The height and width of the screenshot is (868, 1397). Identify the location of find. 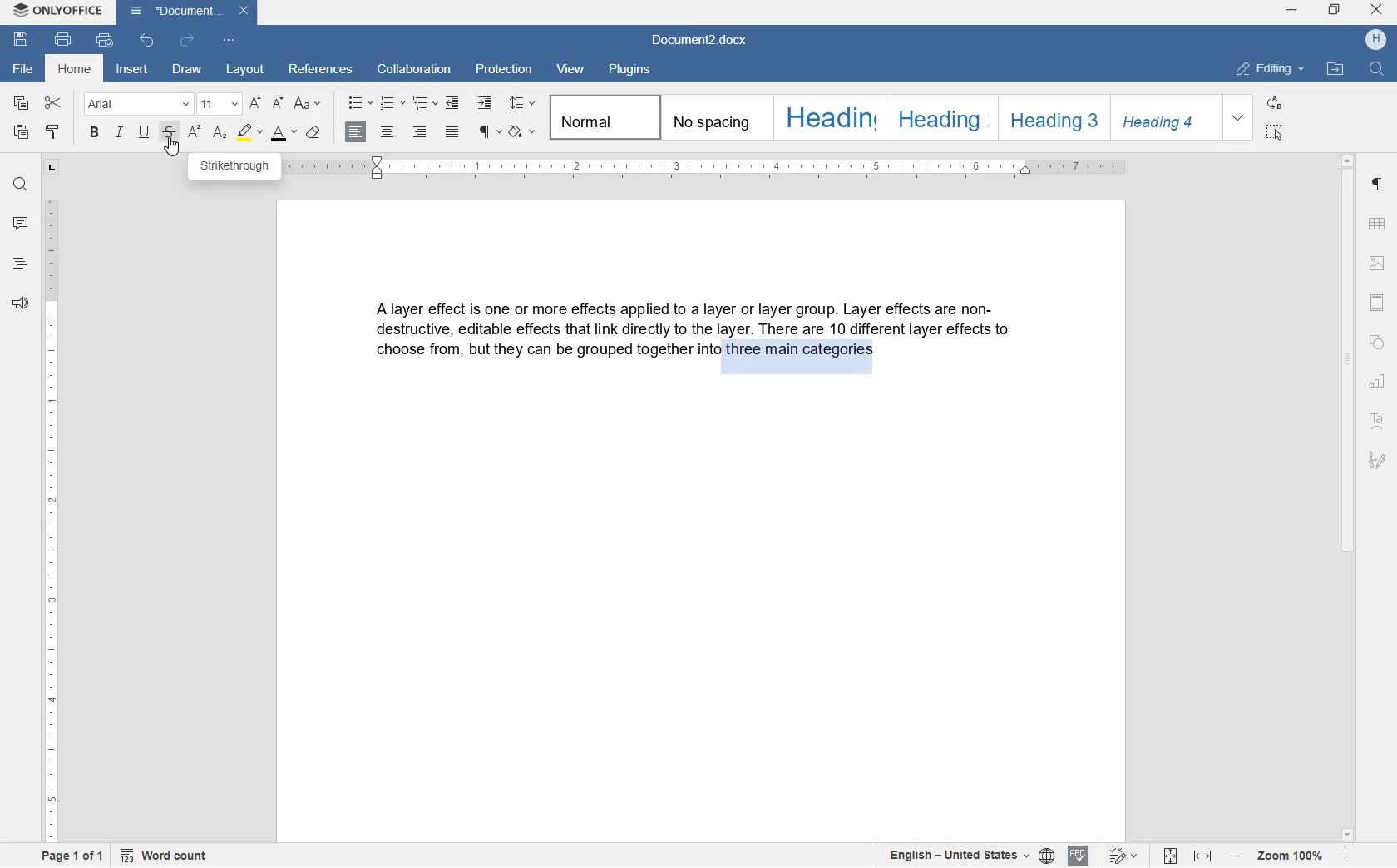
(1375, 69).